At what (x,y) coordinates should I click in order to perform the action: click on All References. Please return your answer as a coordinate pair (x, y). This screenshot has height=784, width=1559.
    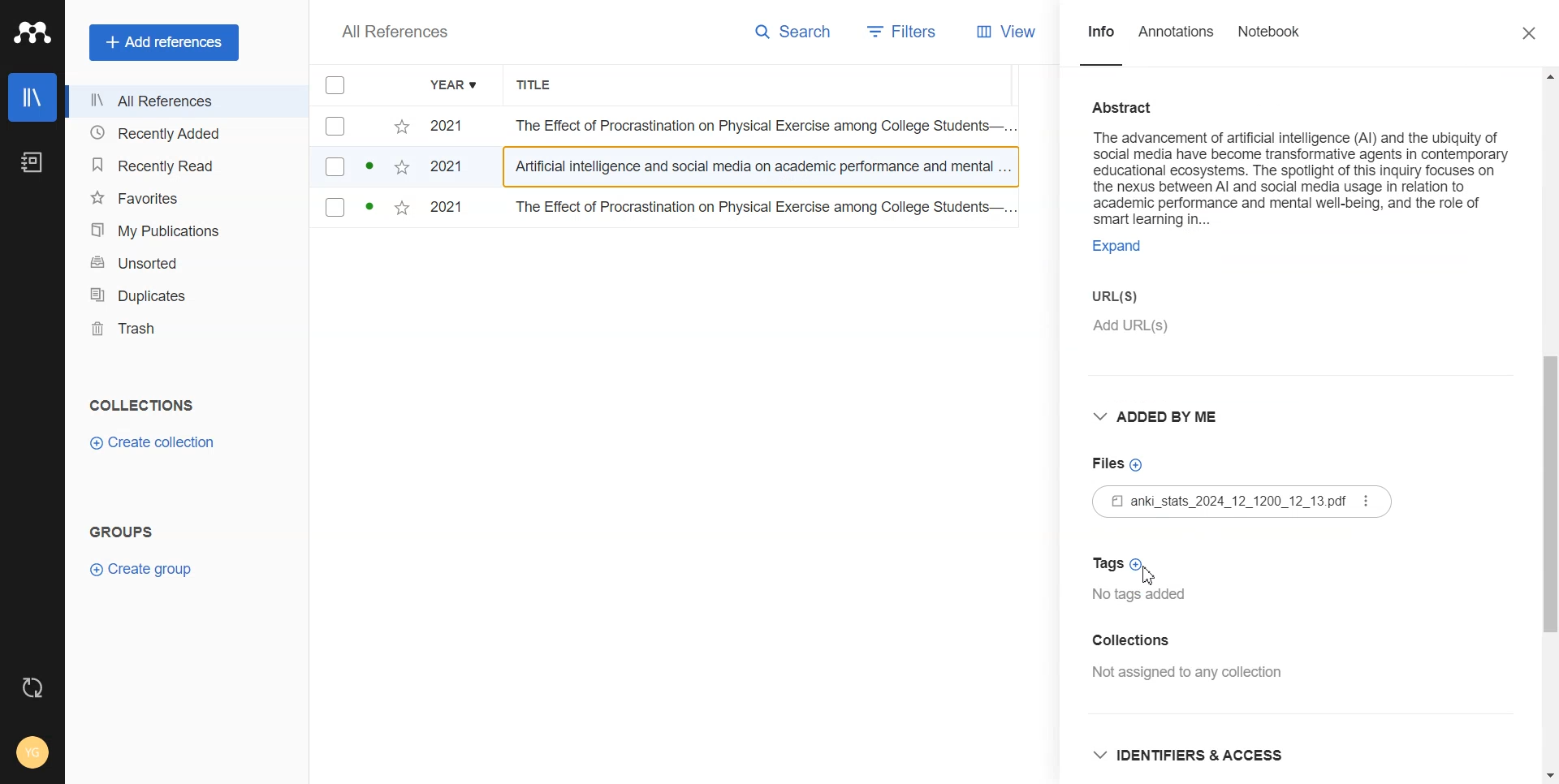
    Looking at the image, I should click on (395, 32).